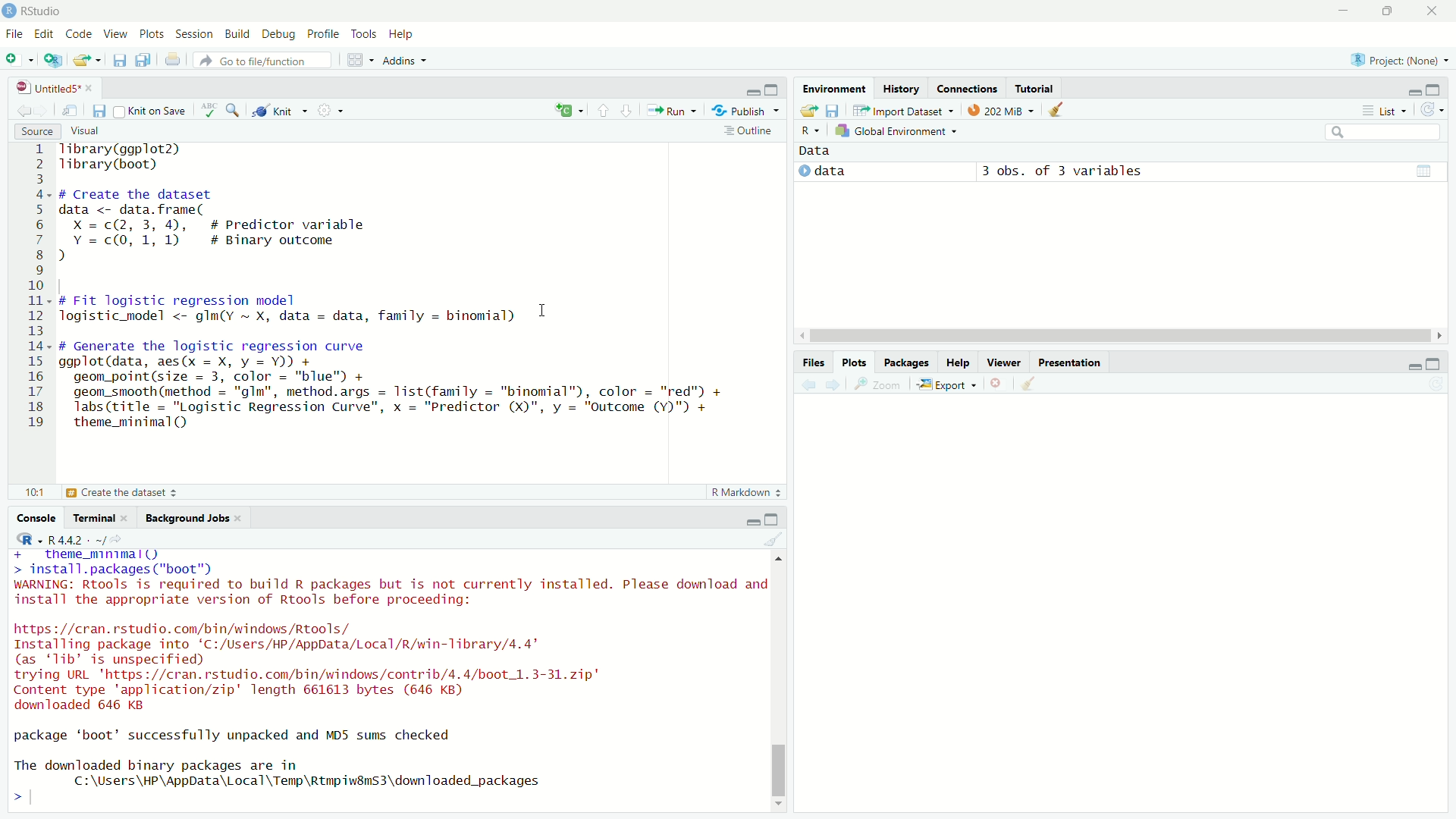 The image size is (1456, 819). What do you see at coordinates (44, 111) in the screenshot?
I see `Go forward to next source location` at bounding box center [44, 111].